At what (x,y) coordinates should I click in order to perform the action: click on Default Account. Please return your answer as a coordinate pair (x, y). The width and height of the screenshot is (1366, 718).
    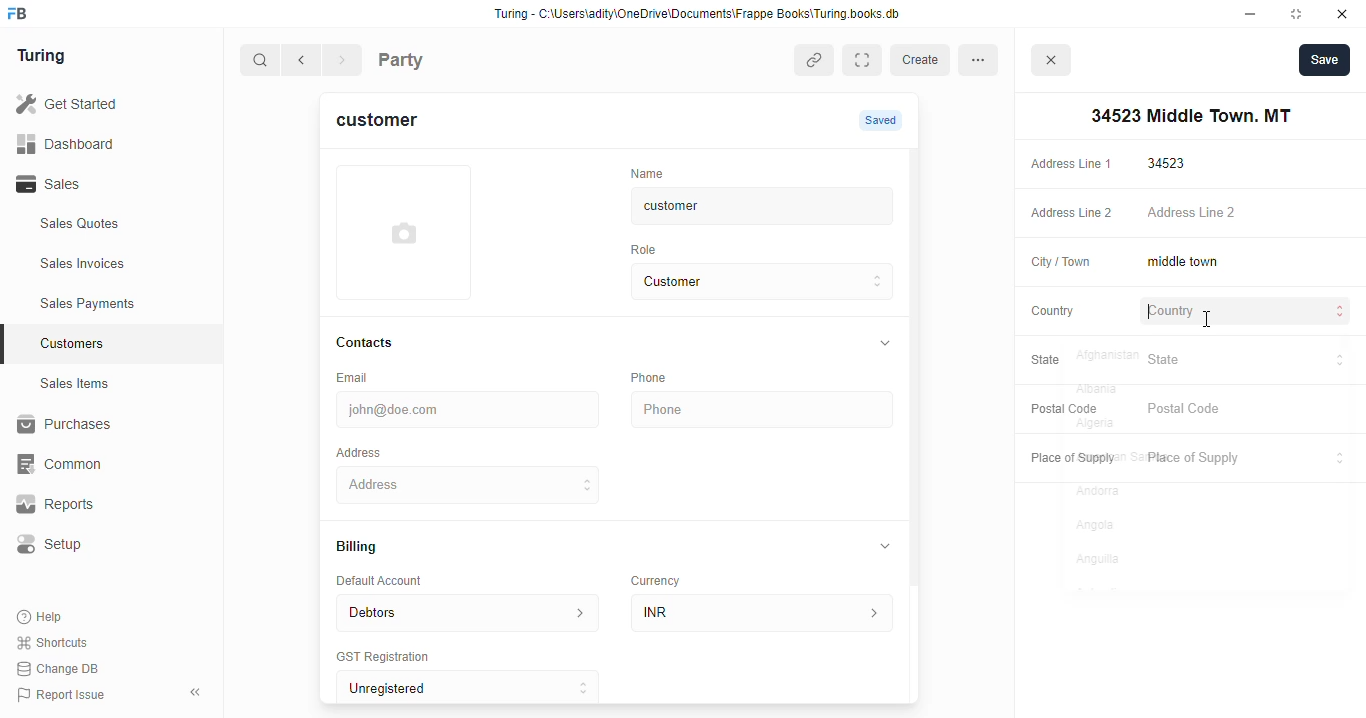
    Looking at the image, I should click on (395, 580).